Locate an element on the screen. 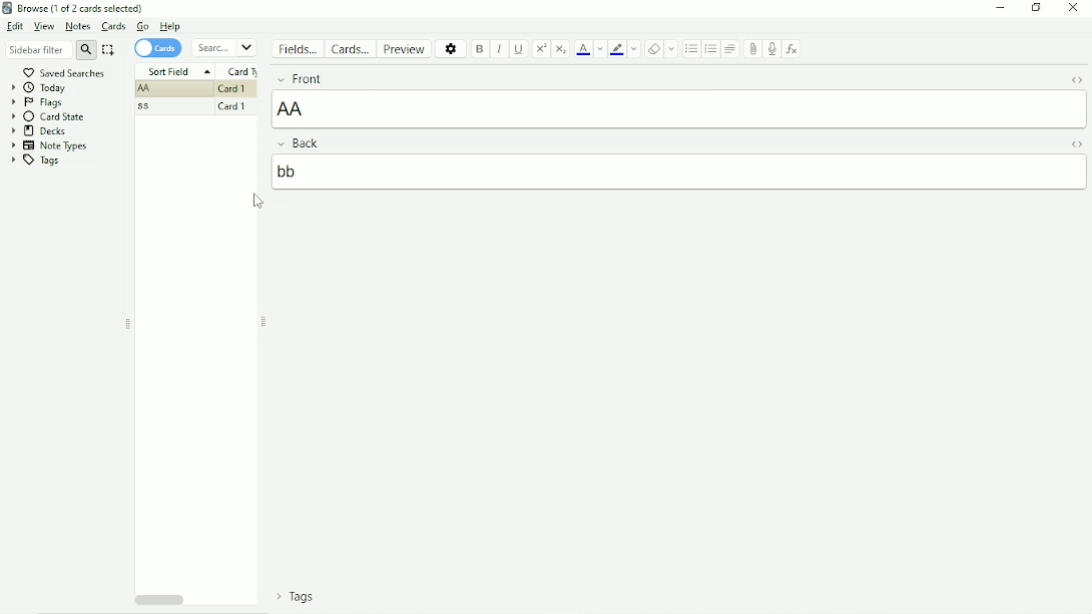  Edit is located at coordinates (14, 27).